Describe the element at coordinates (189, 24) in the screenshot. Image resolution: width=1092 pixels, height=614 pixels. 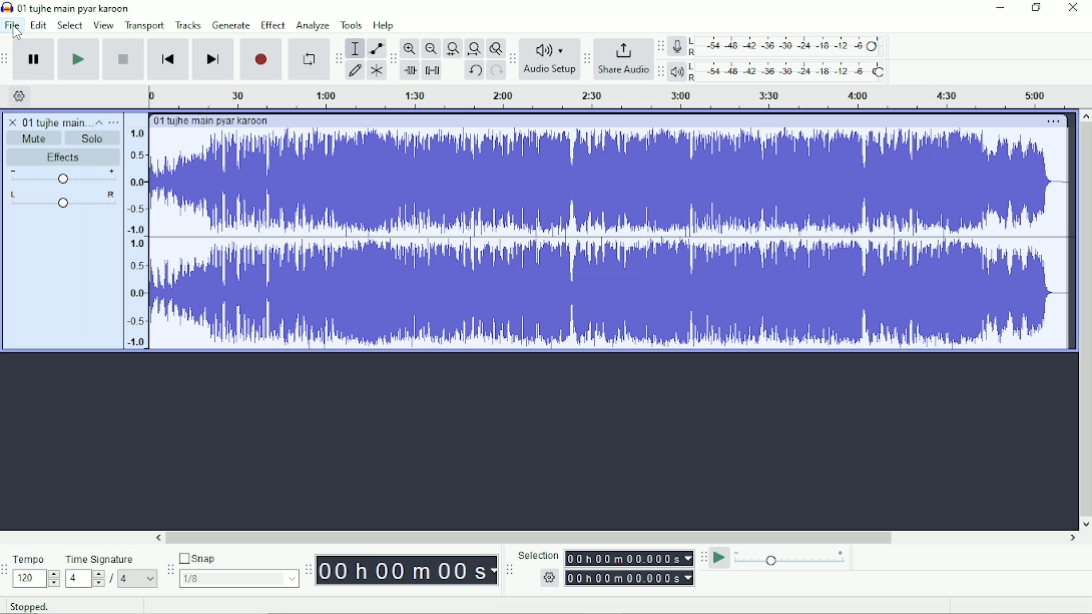
I see `Tracks` at that location.